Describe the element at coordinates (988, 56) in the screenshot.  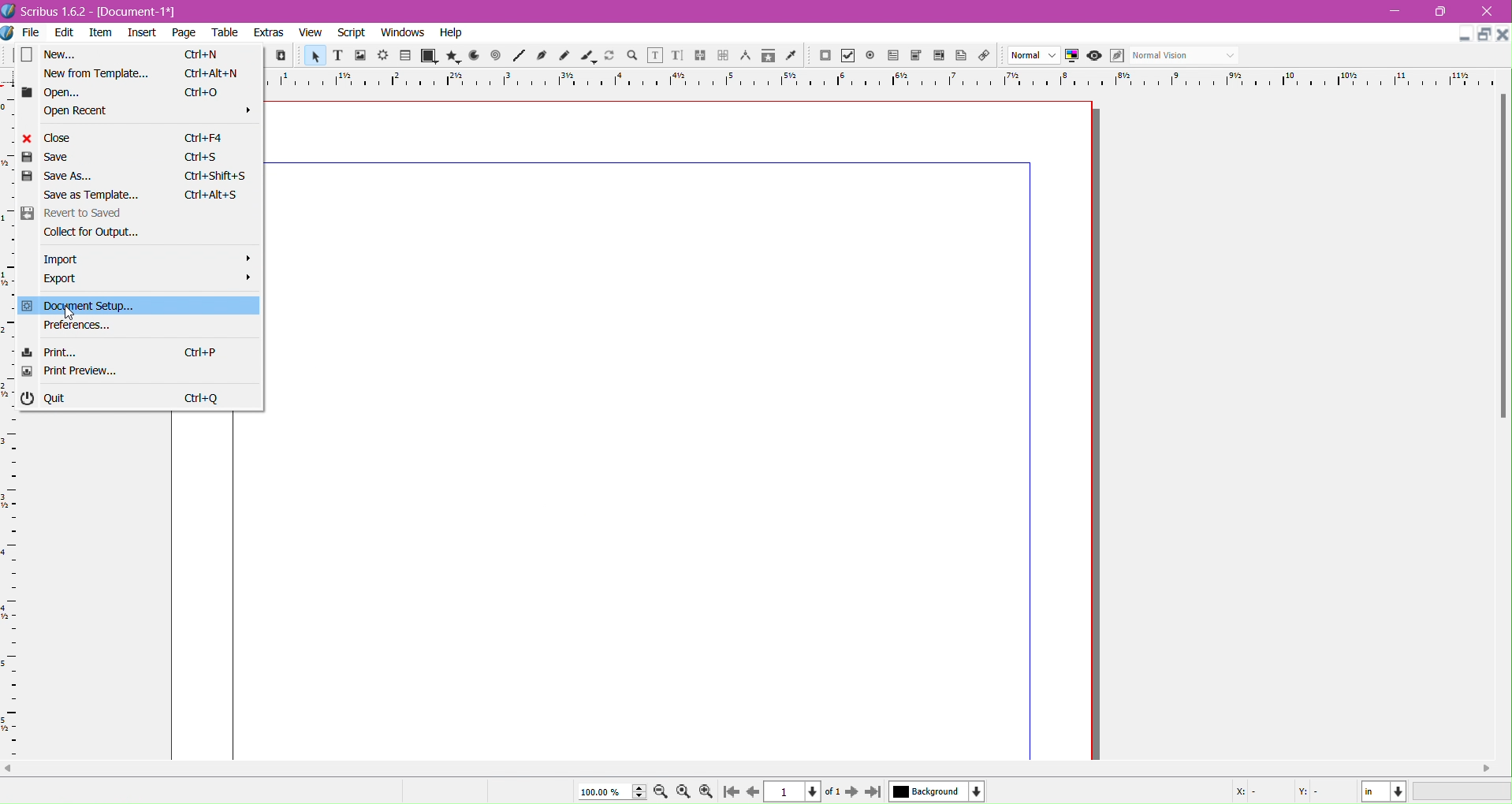
I see `link annotations` at that location.